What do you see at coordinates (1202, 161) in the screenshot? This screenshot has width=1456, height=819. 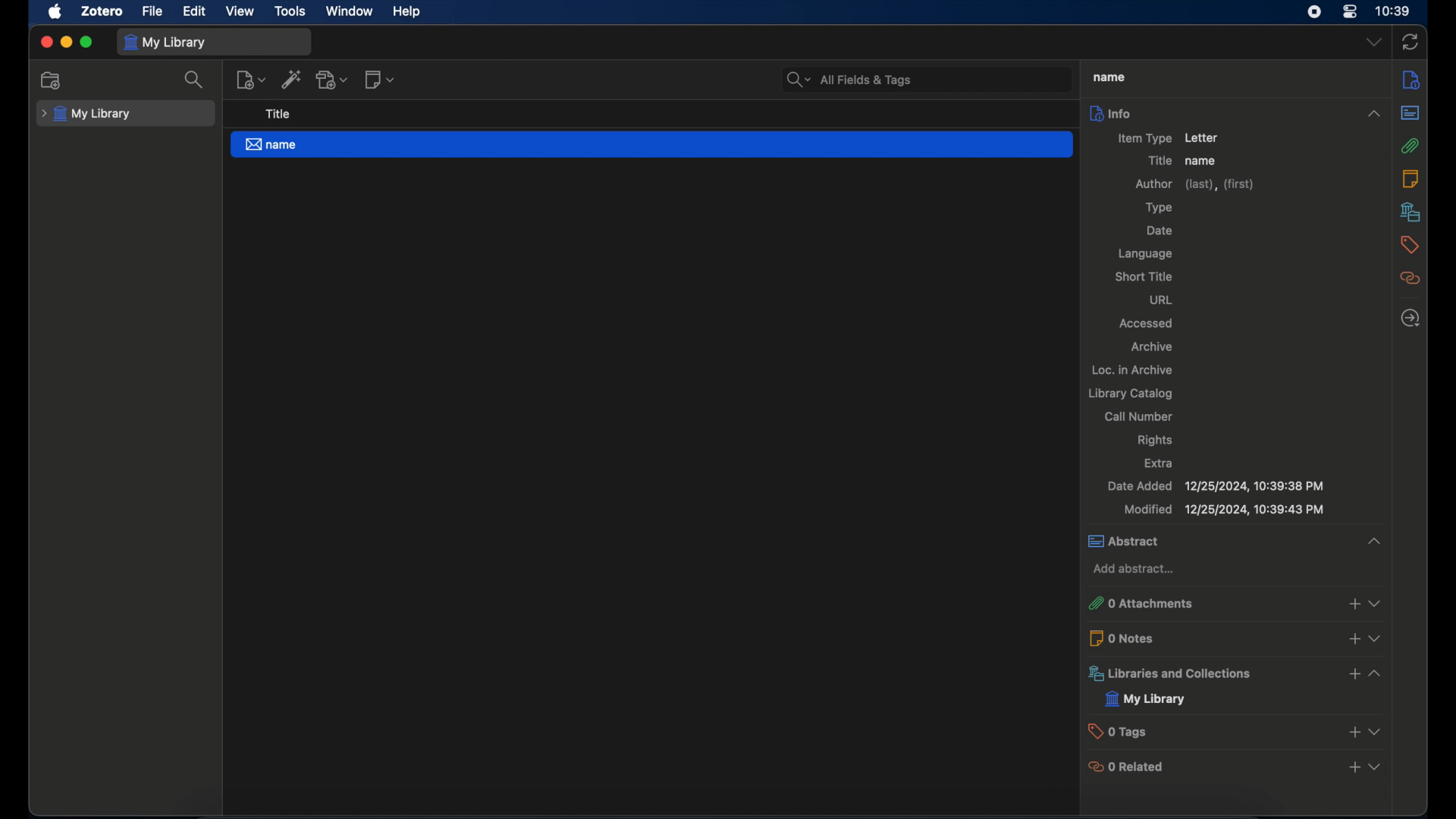 I see `name` at bounding box center [1202, 161].